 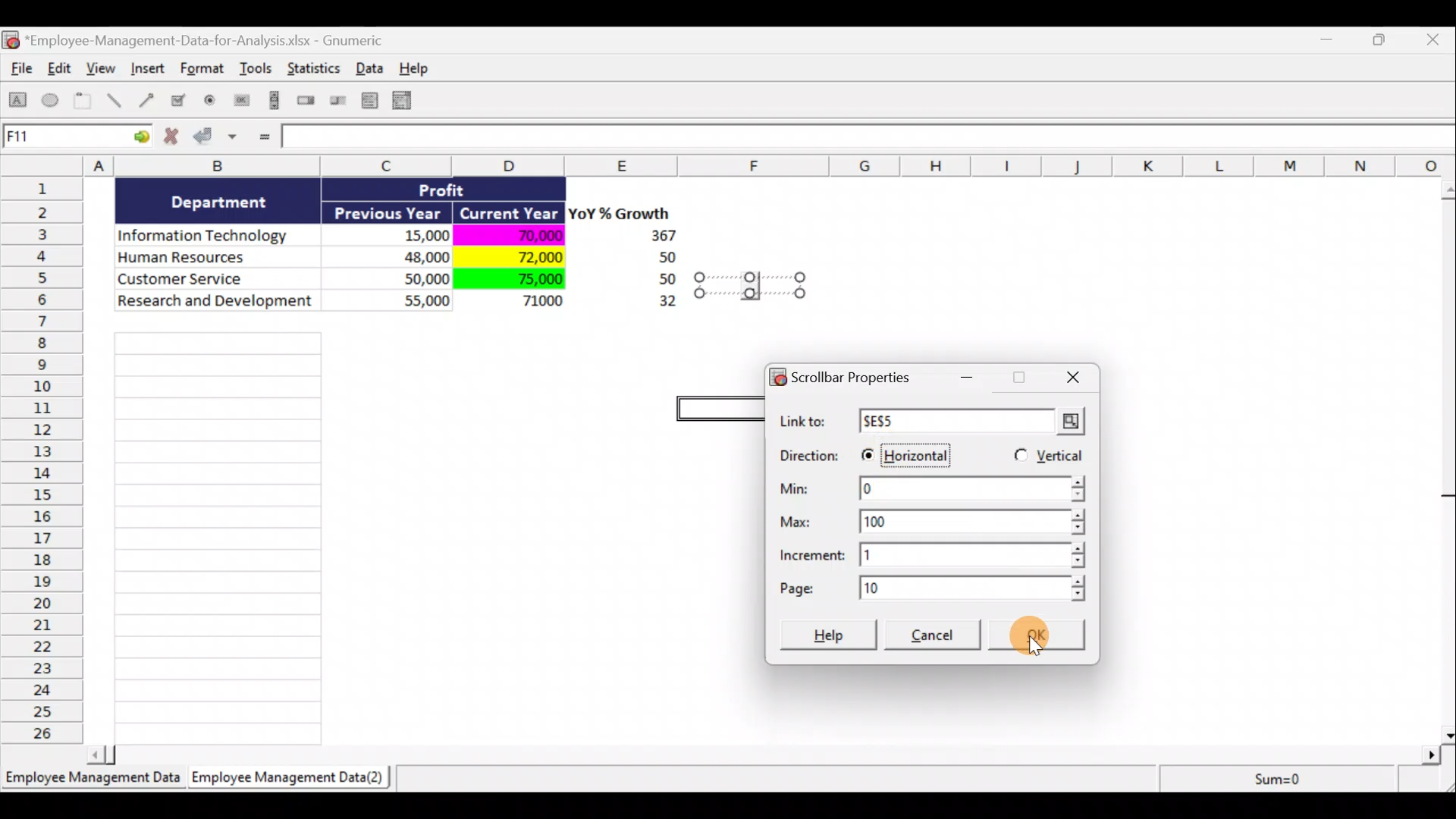 I want to click on Scroll bar, so click(x=1446, y=458).